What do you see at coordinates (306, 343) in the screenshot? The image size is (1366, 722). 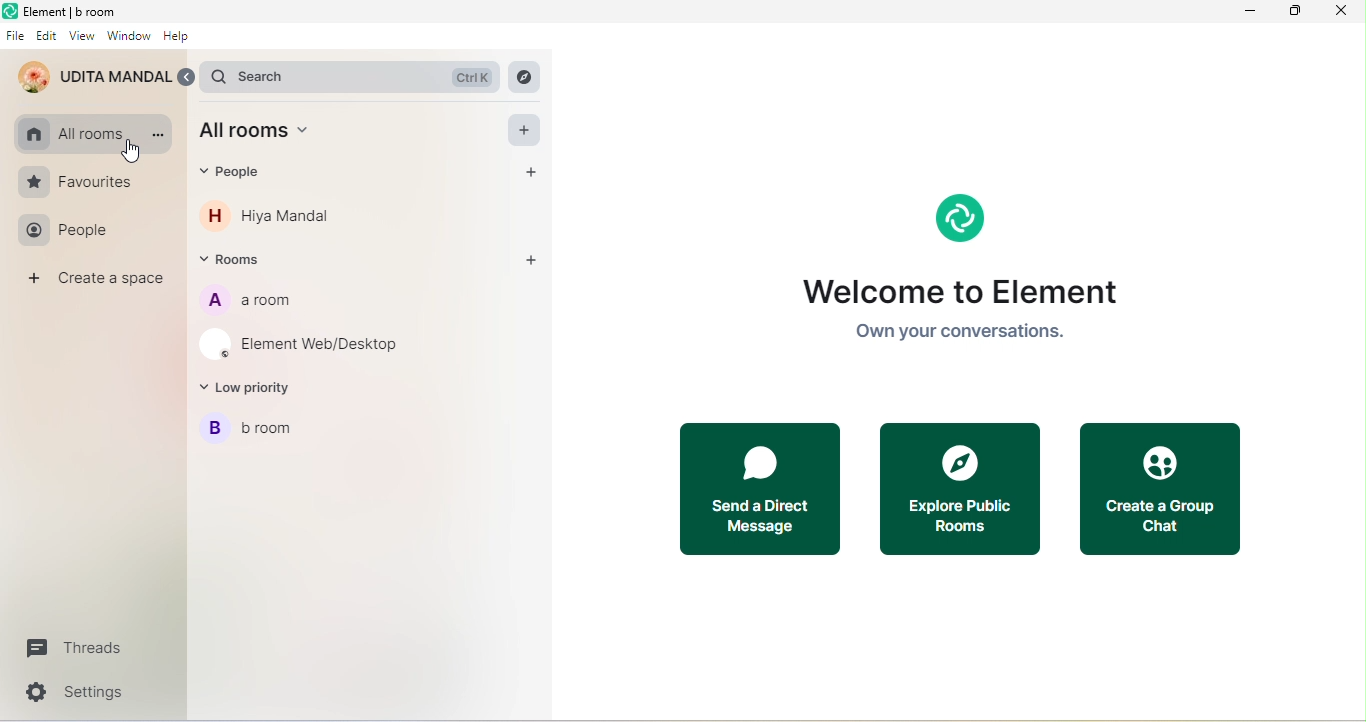 I see `element web/desktop` at bounding box center [306, 343].